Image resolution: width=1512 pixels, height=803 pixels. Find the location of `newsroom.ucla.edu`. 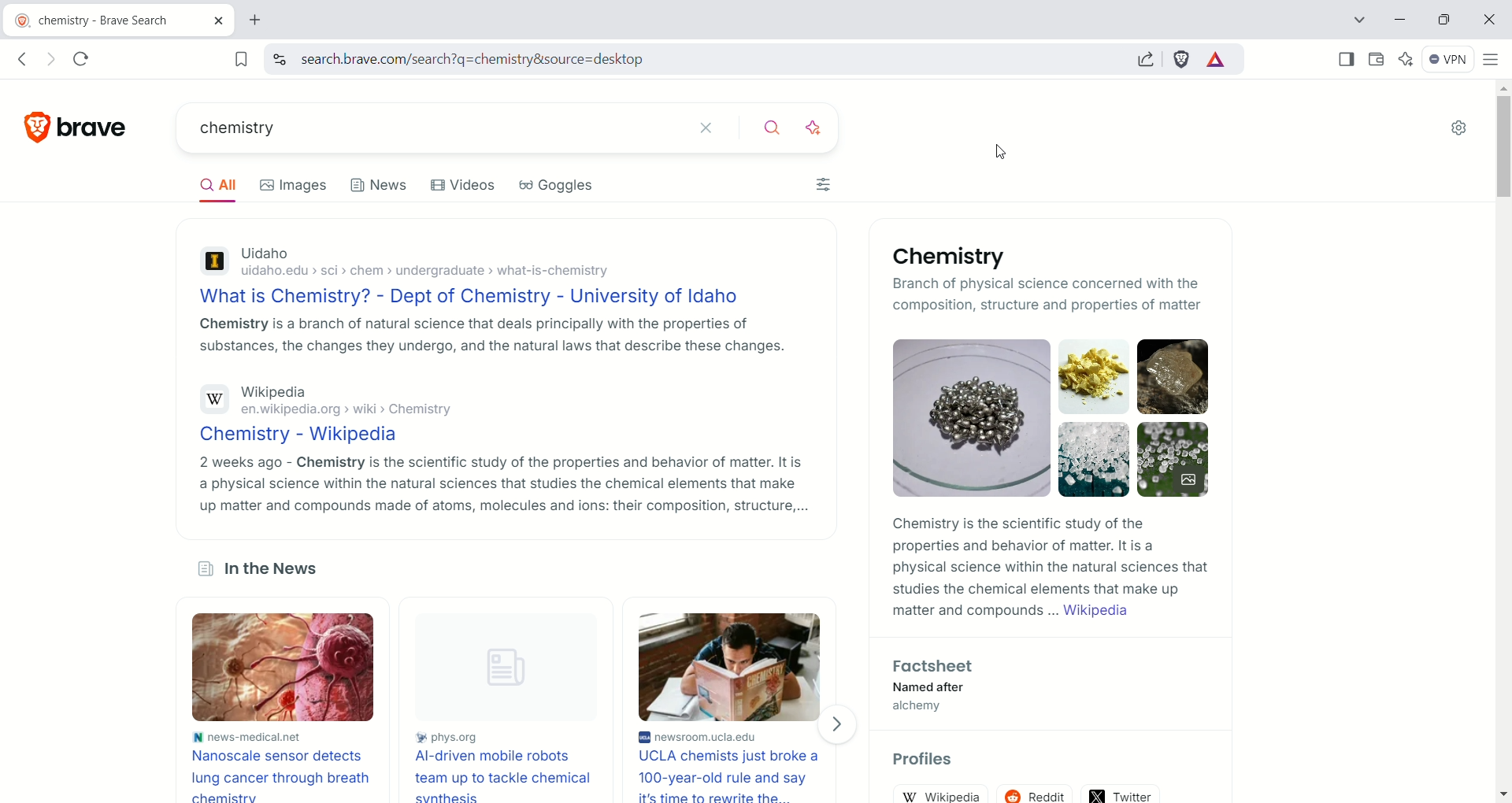

newsroom.ucla.edu is located at coordinates (733, 738).